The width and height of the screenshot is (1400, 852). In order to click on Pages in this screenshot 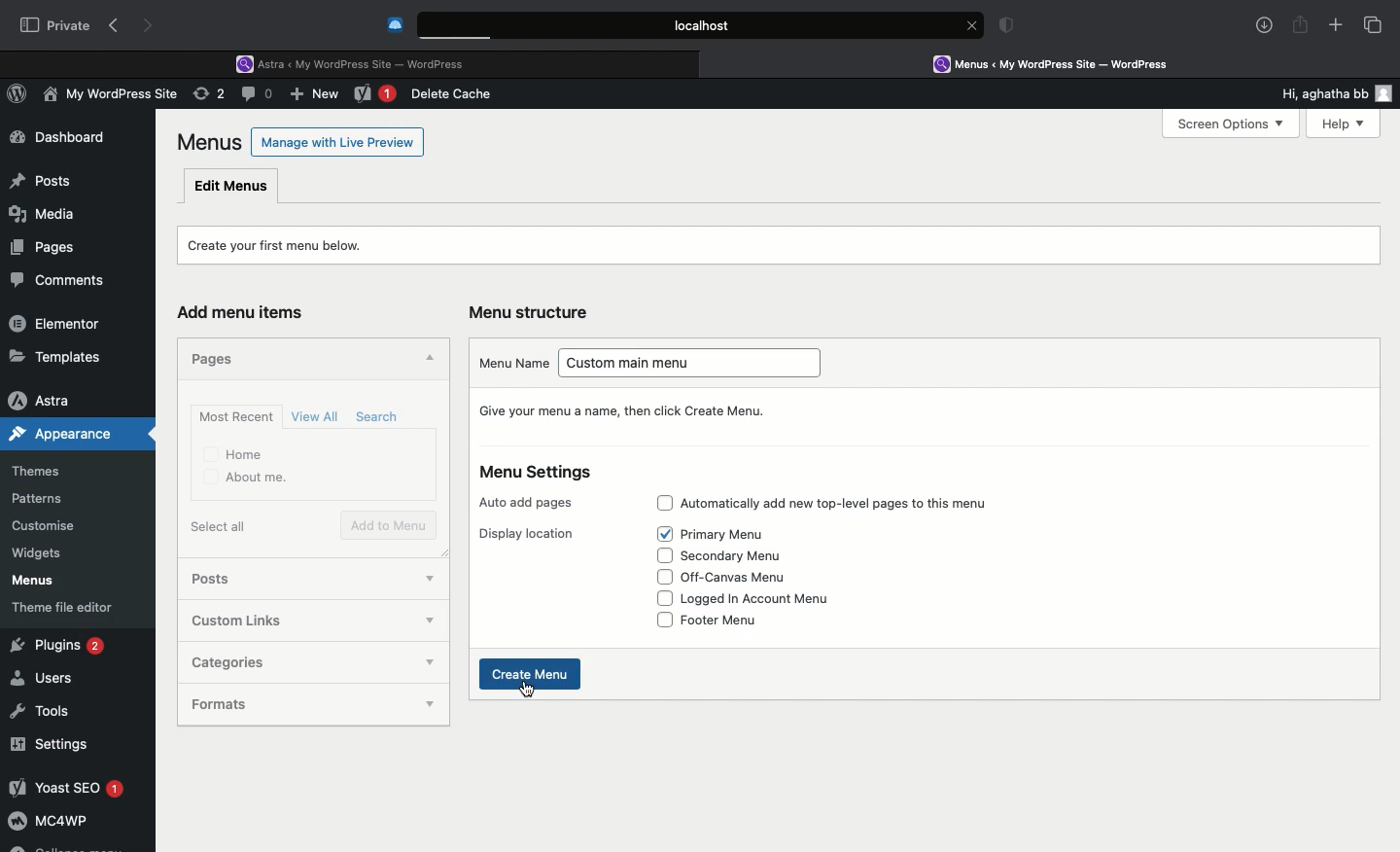, I will do `click(218, 357)`.